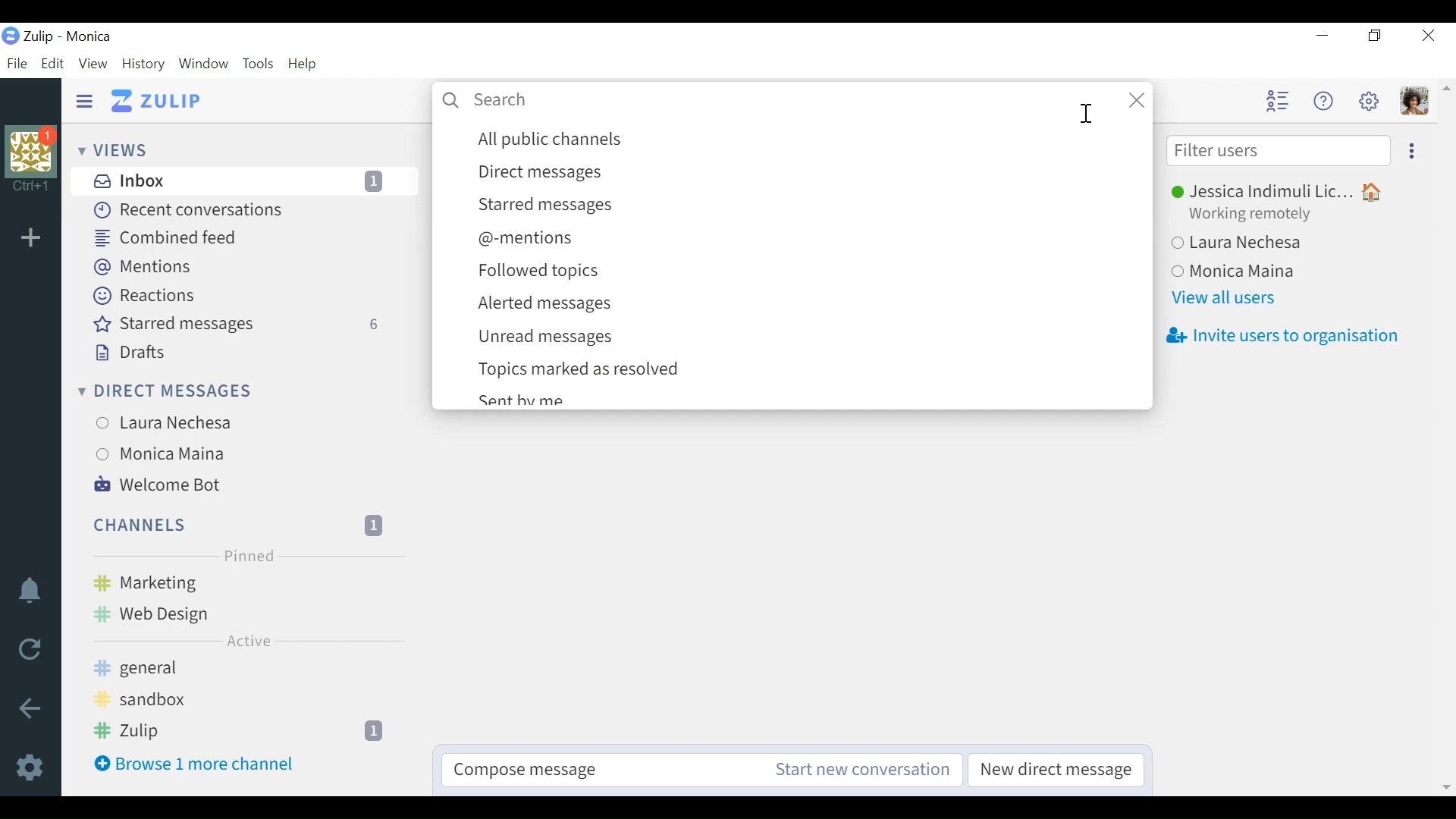  What do you see at coordinates (252, 695) in the screenshot?
I see `sandbox` at bounding box center [252, 695].